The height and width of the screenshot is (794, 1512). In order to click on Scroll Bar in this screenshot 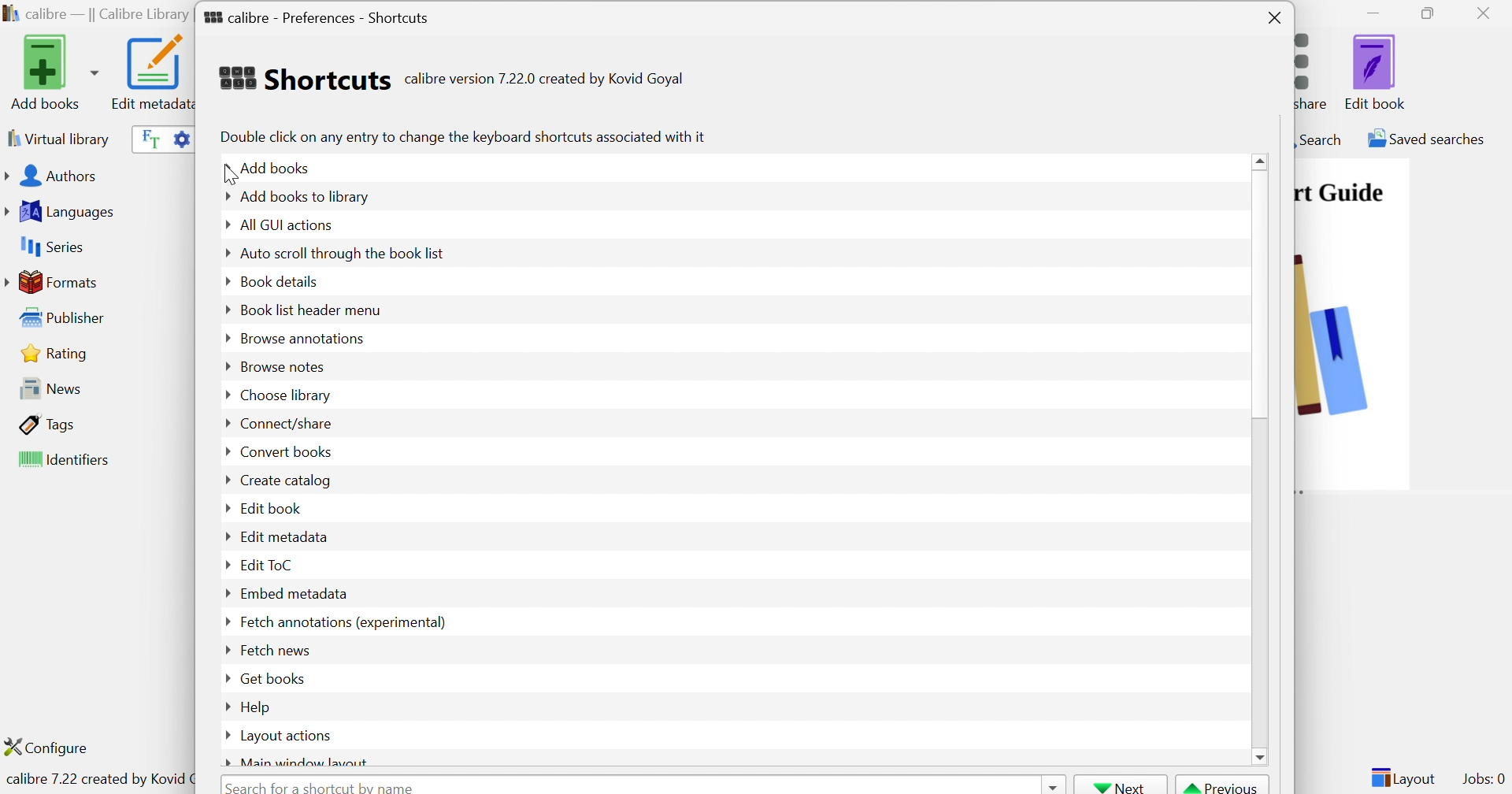, I will do `click(1262, 295)`.